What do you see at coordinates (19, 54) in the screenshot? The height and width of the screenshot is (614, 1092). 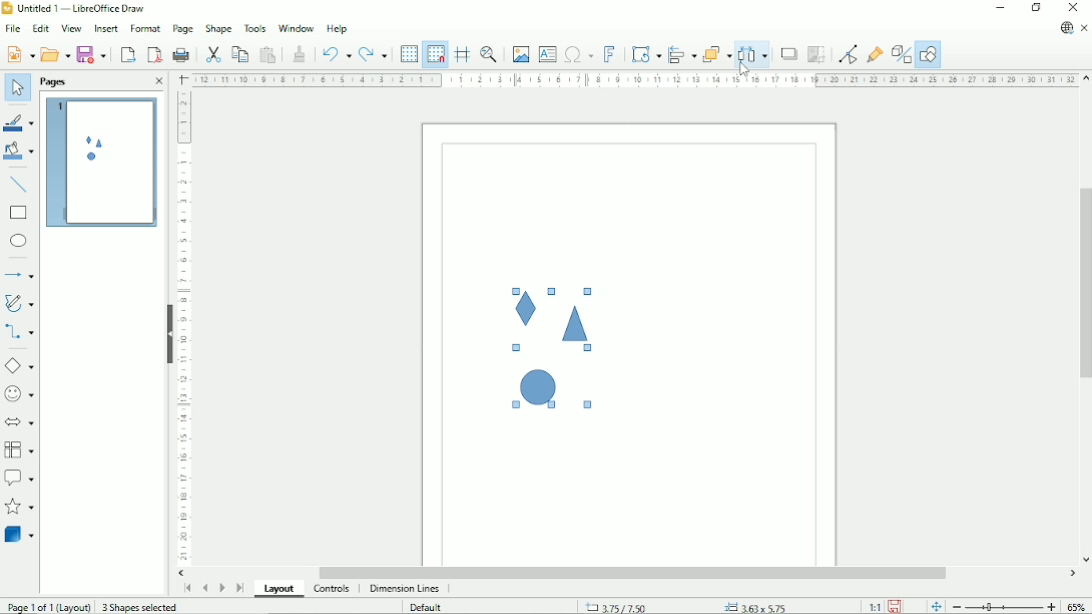 I see `New` at bounding box center [19, 54].